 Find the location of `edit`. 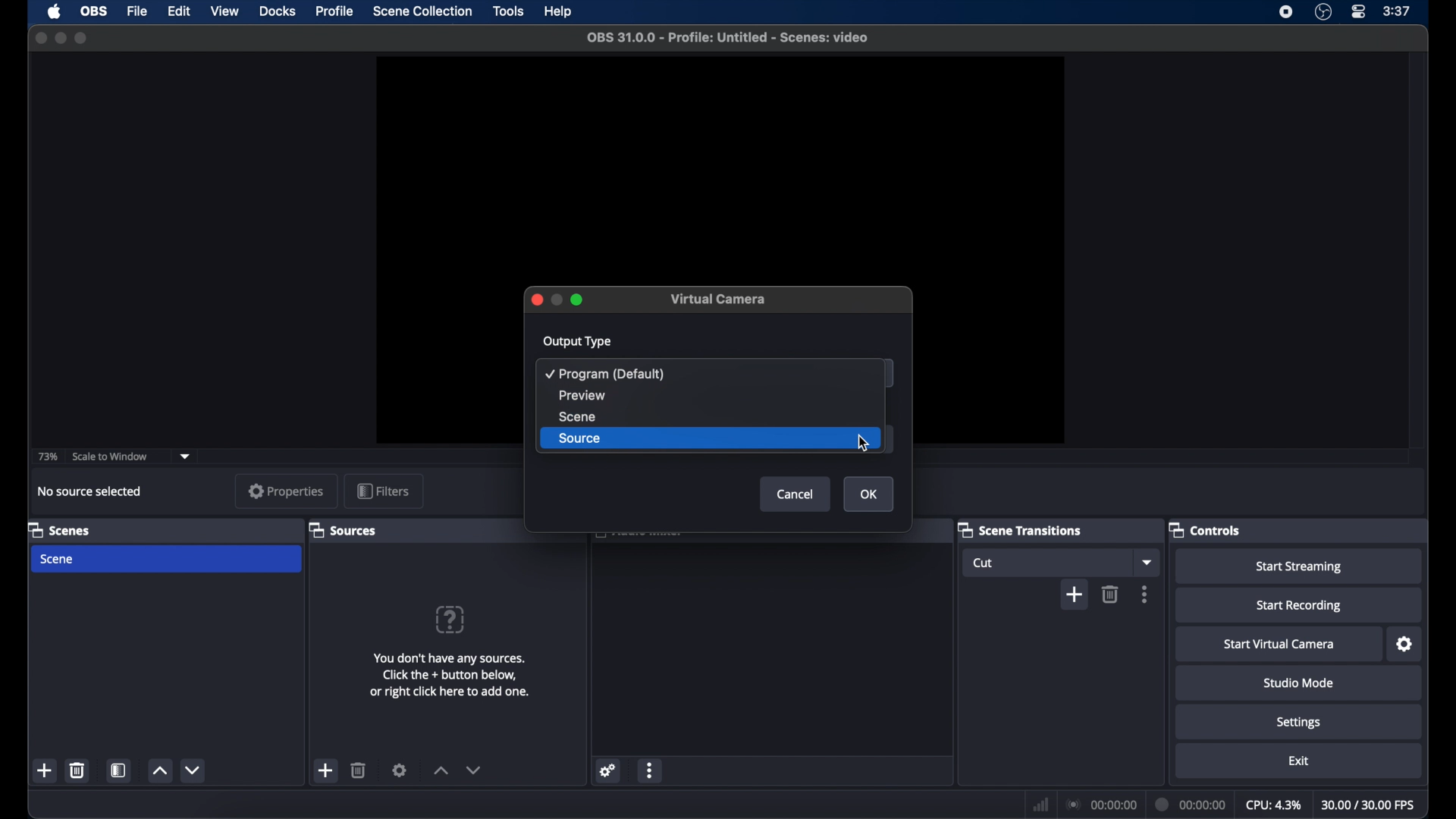

edit is located at coordinates (178, 11).